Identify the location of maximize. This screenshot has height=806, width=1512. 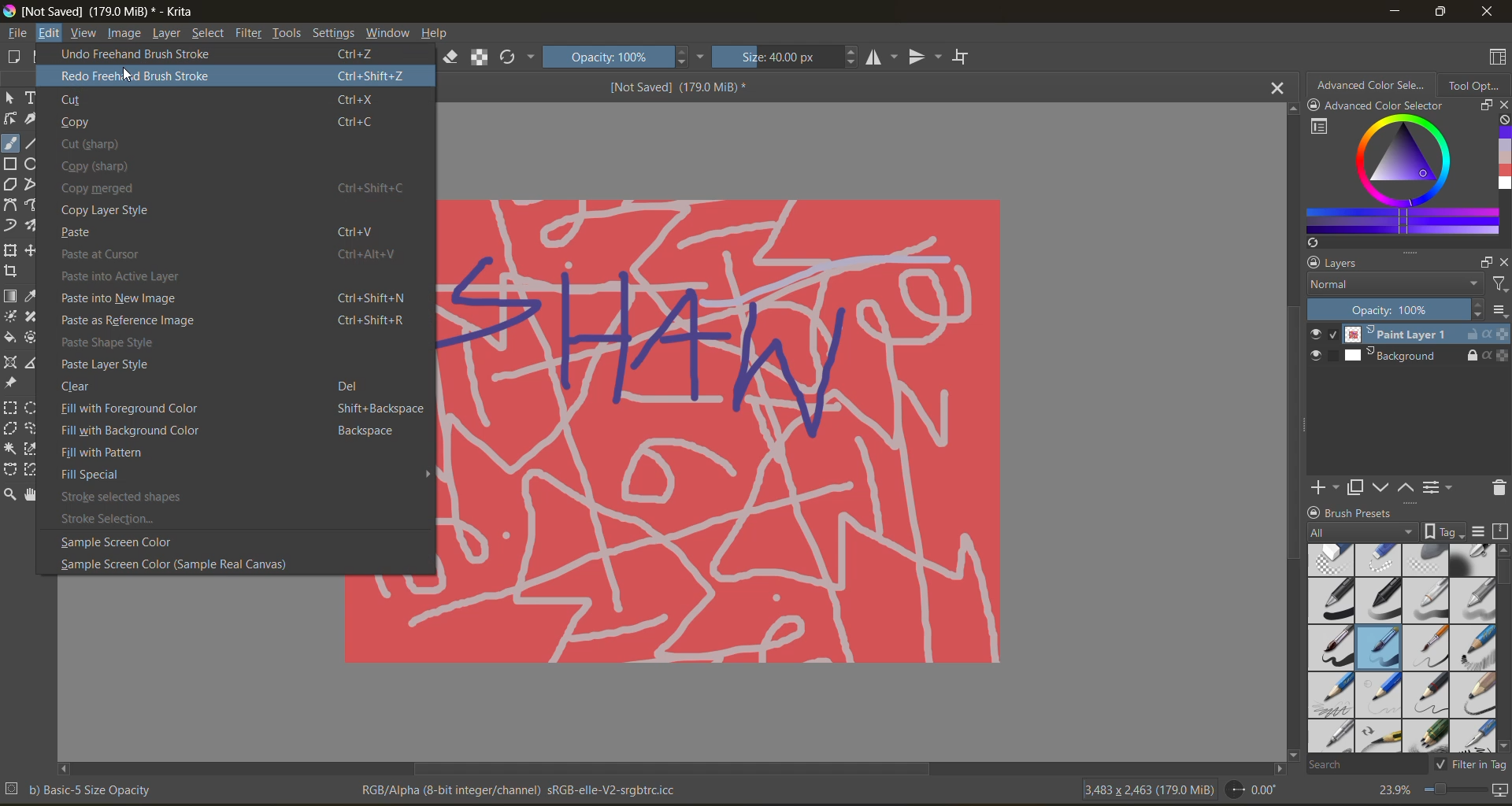
(1442, 13).